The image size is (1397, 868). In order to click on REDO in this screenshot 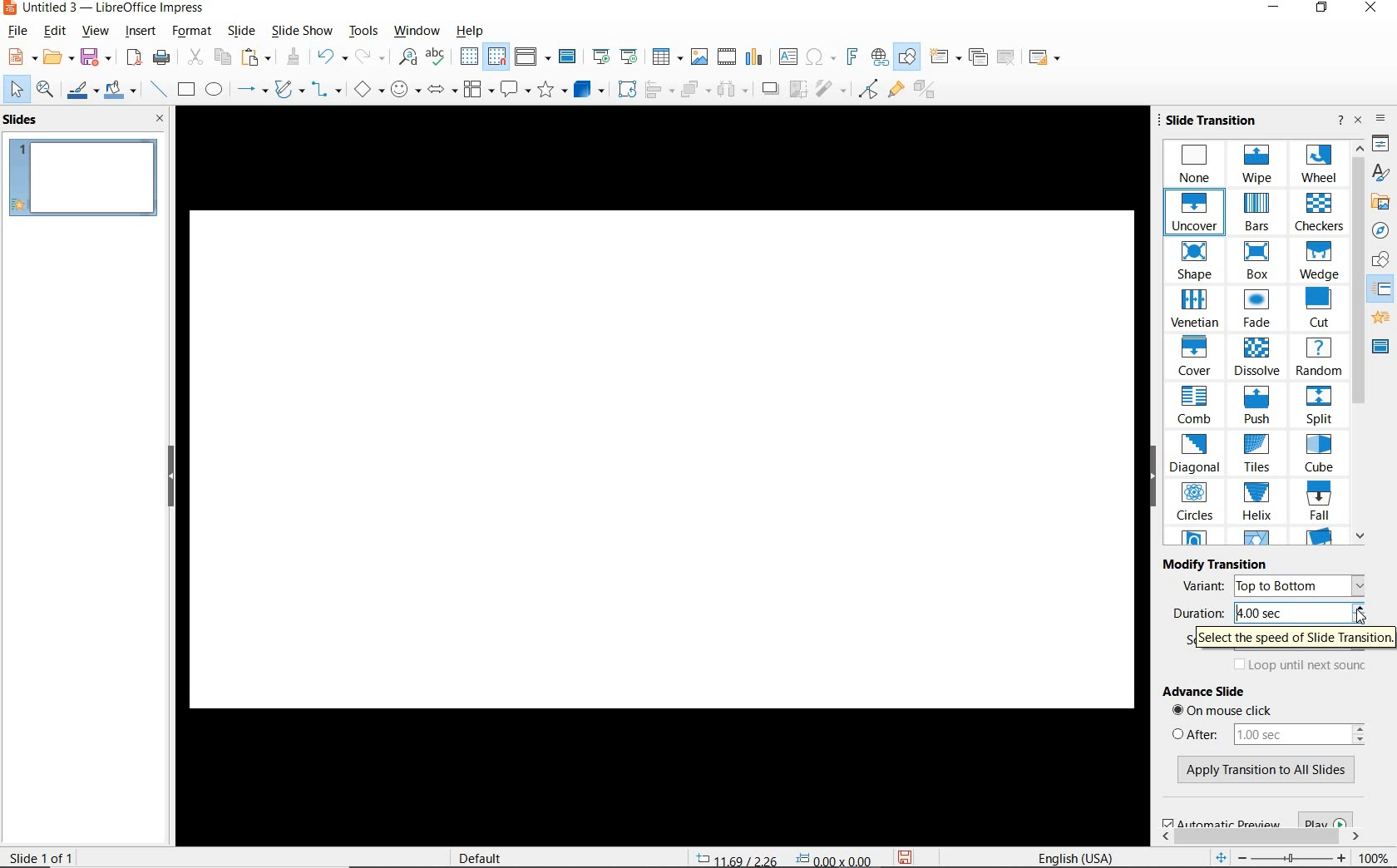, I will do `click(371, 57)`.